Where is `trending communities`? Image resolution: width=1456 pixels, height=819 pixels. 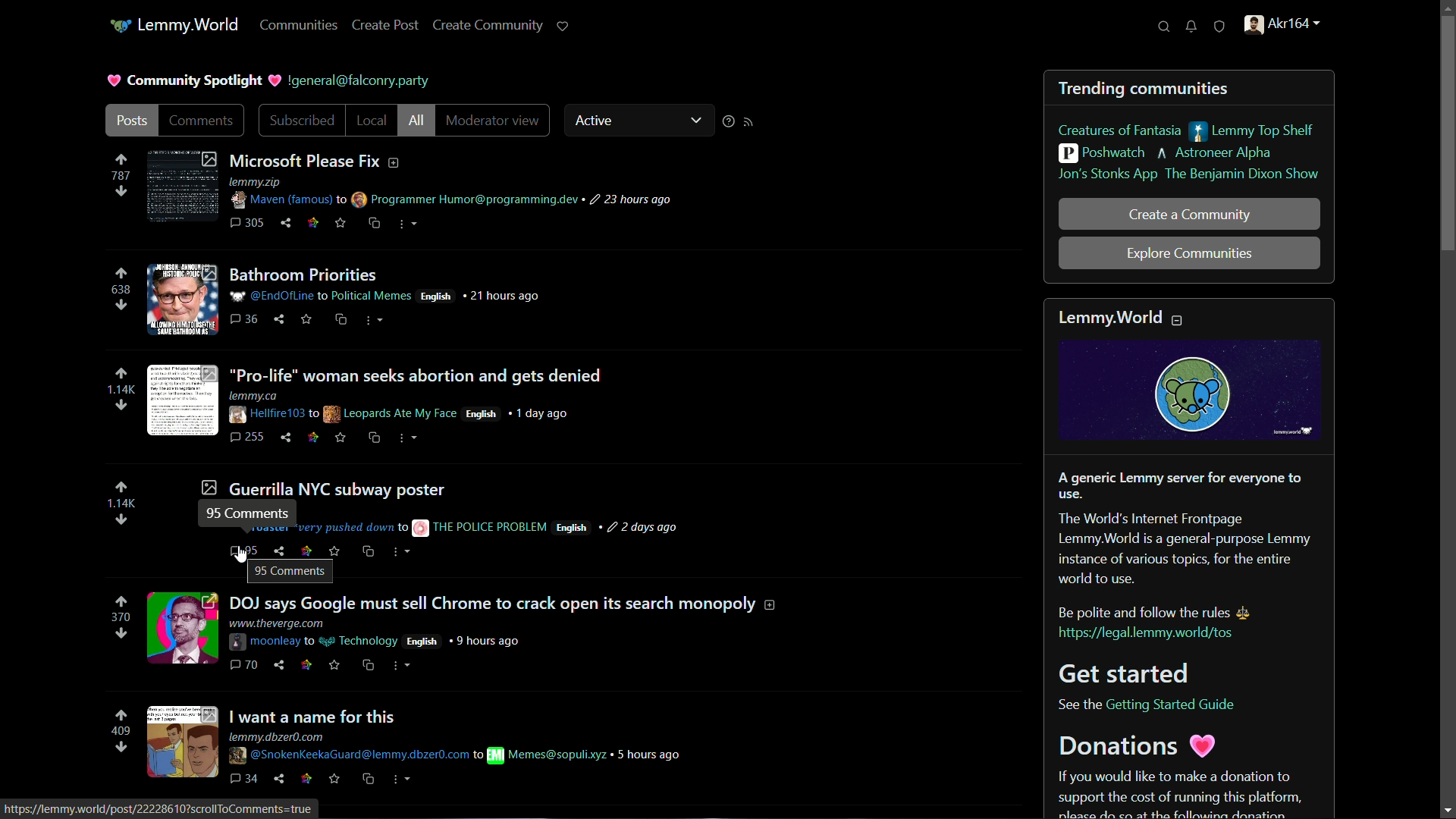
trending communities is located at coordinates (1144, 89).